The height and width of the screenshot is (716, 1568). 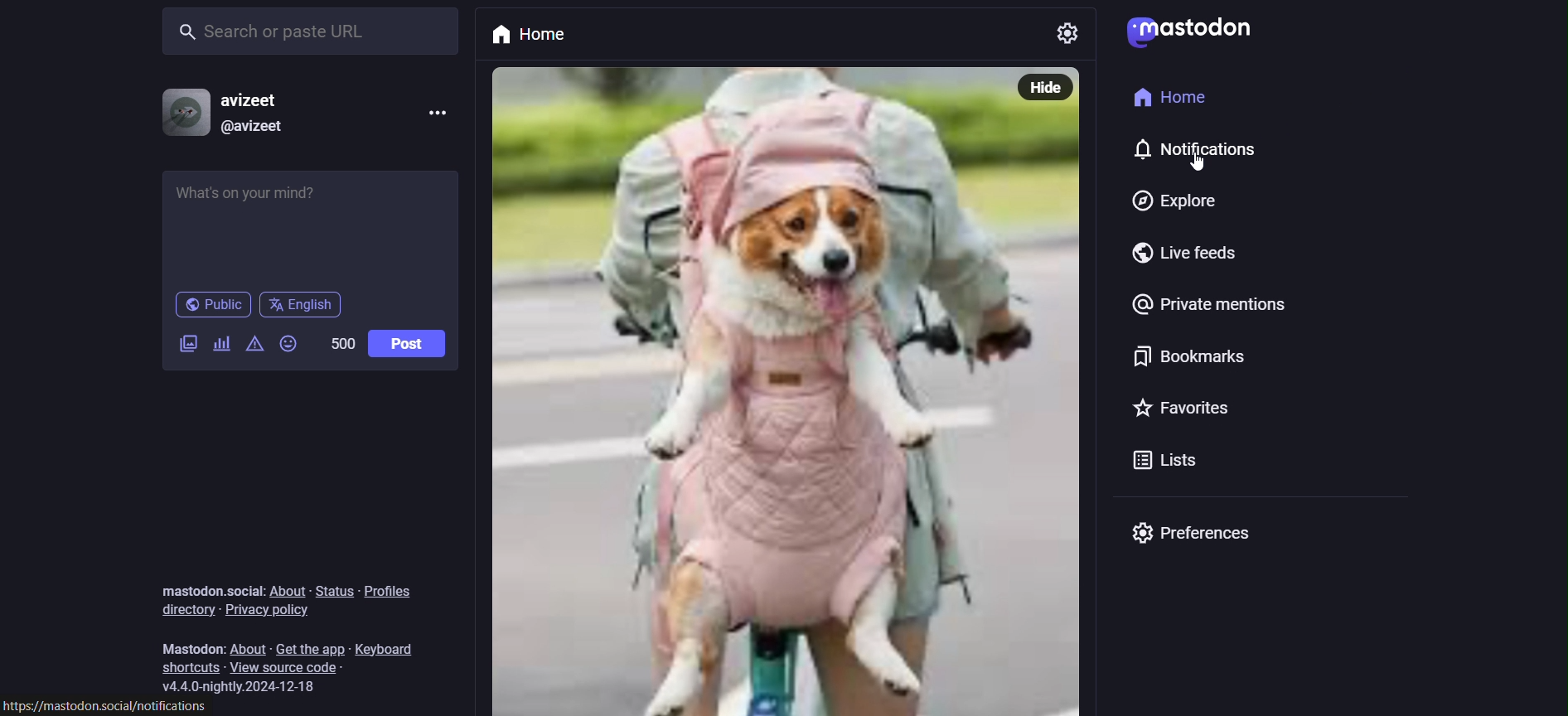 I want to click on directory, so click(x=179, y=609).